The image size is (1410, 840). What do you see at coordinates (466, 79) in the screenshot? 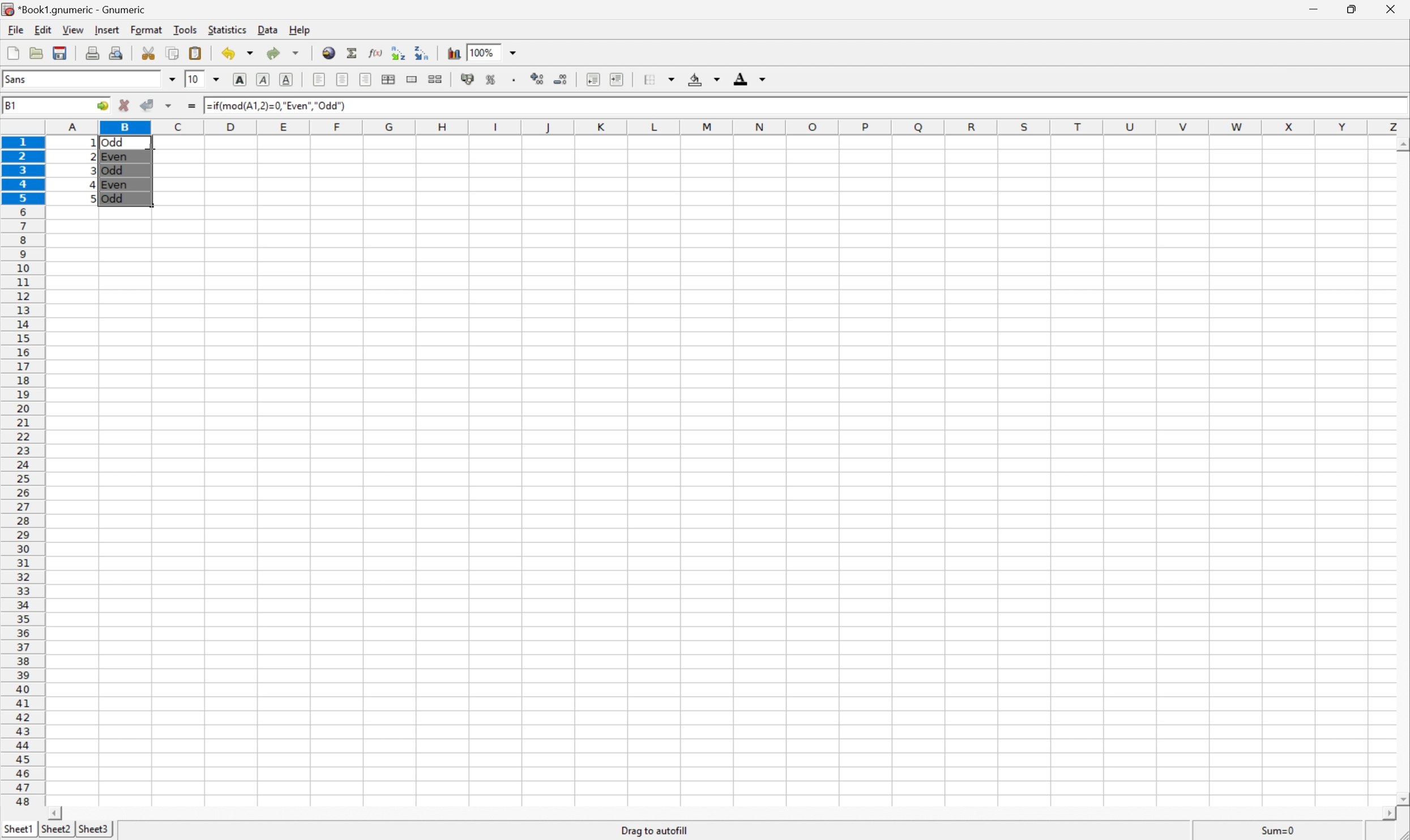
I see `Format selection as accounting` at bounding box center [466, 79].